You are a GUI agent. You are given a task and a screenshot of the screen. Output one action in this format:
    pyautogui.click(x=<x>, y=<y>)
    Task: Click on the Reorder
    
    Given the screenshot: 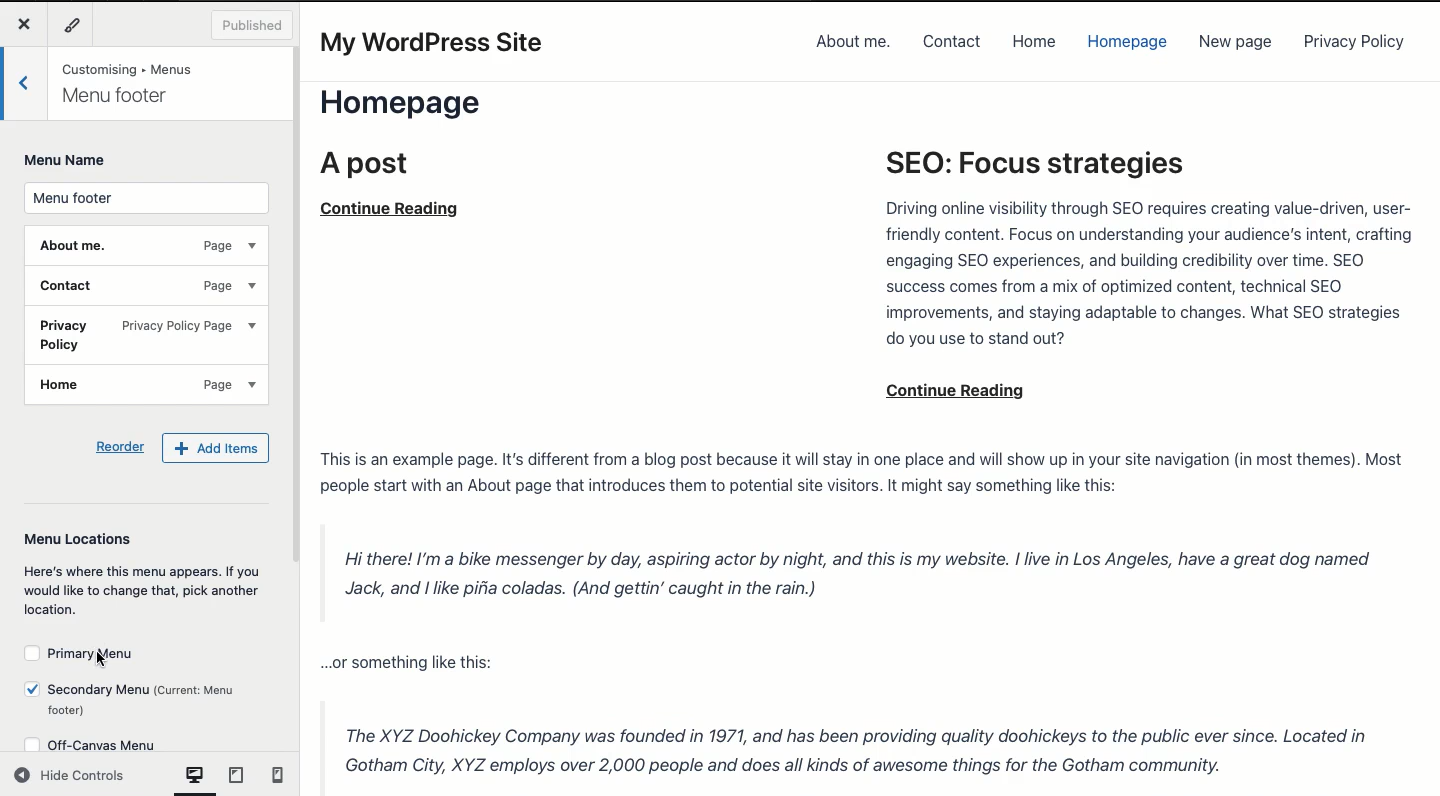 What is the action you would take?
    pyautogui.click(x=121, y=445)
    